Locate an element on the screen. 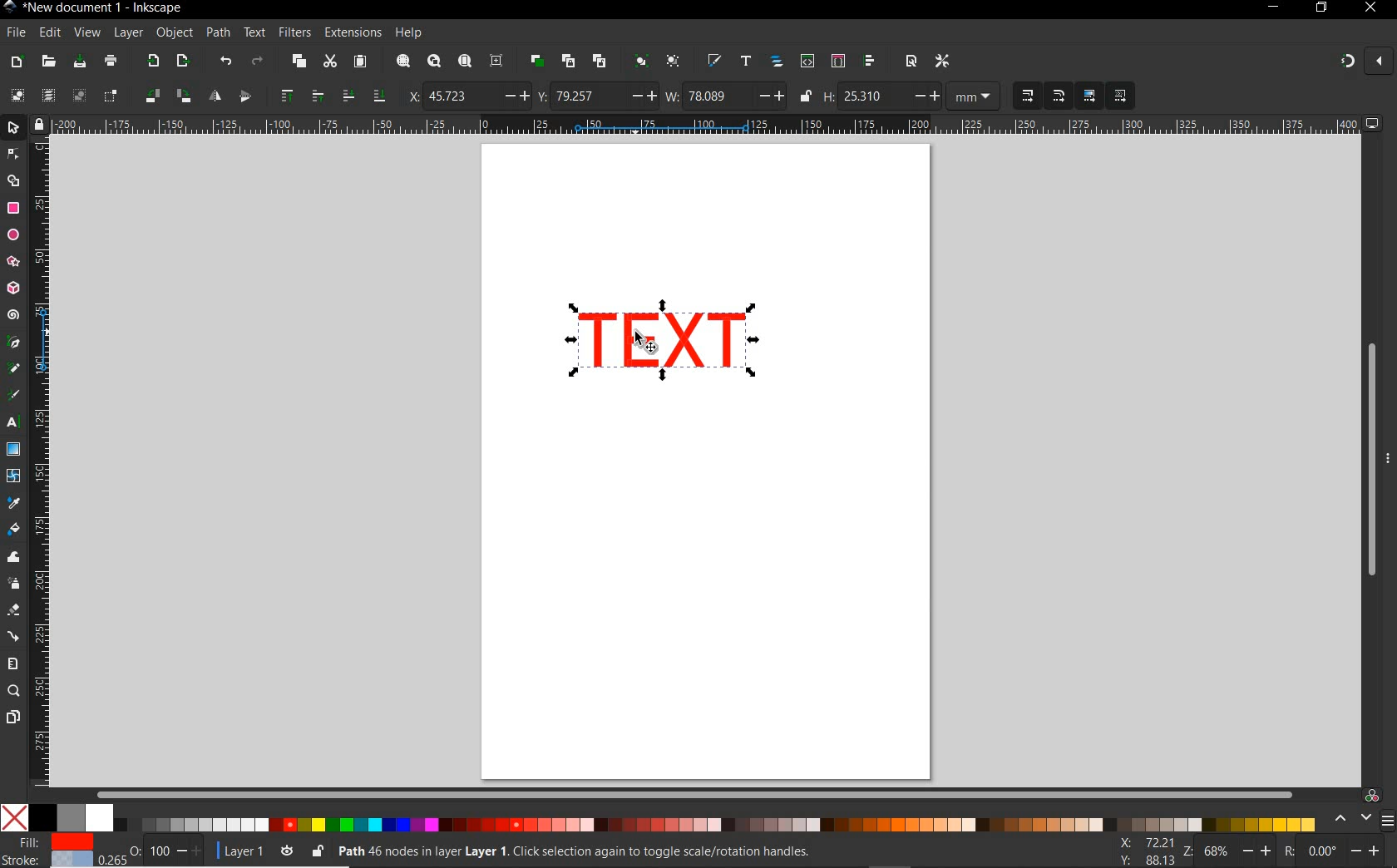 The width and height of the screenshot is (1397, 868). RULER is located at coordinates (708, 126).